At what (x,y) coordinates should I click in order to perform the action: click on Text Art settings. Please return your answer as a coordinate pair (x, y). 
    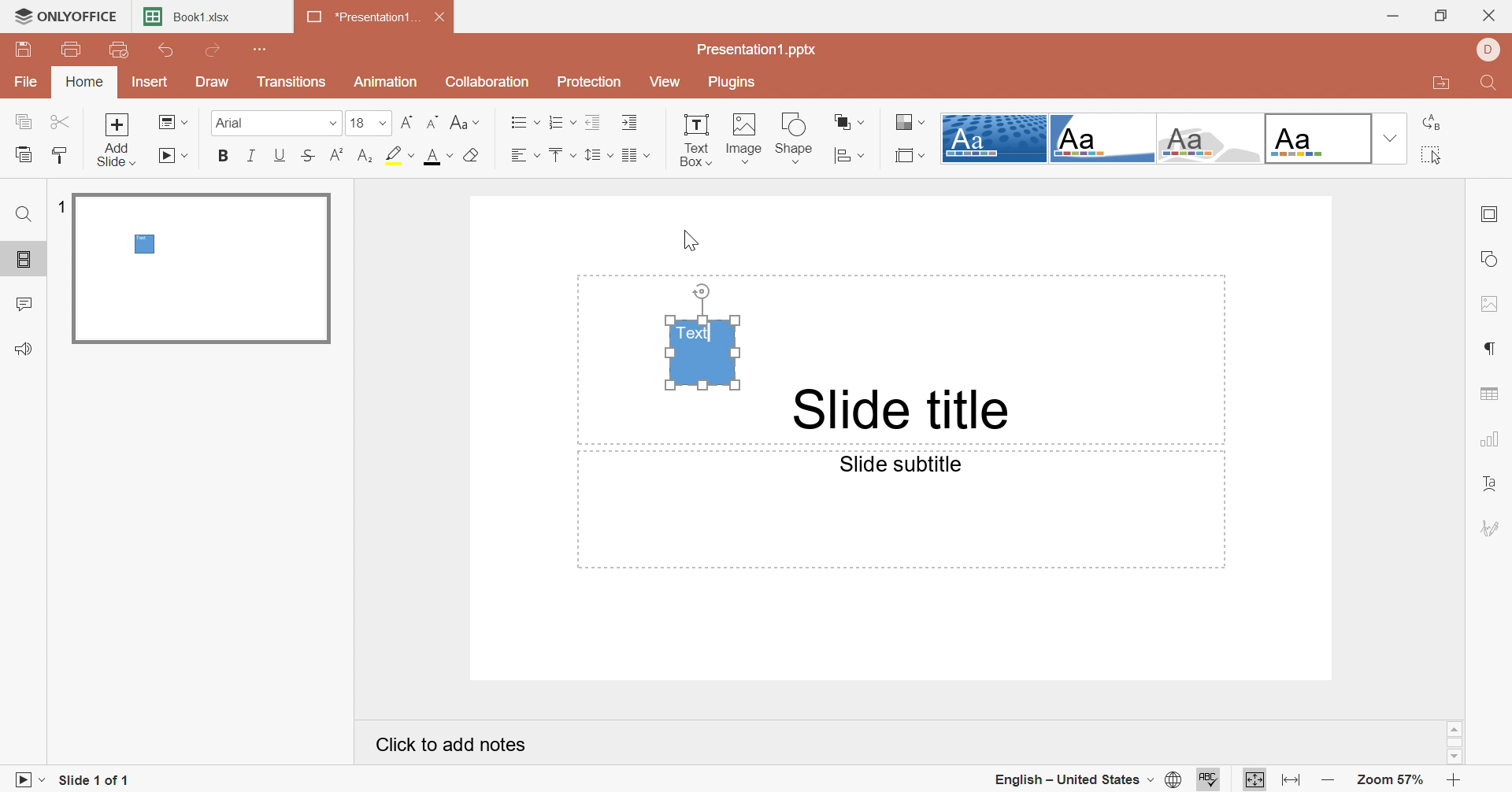
    Looking at the image, I should click on (1494, 487).